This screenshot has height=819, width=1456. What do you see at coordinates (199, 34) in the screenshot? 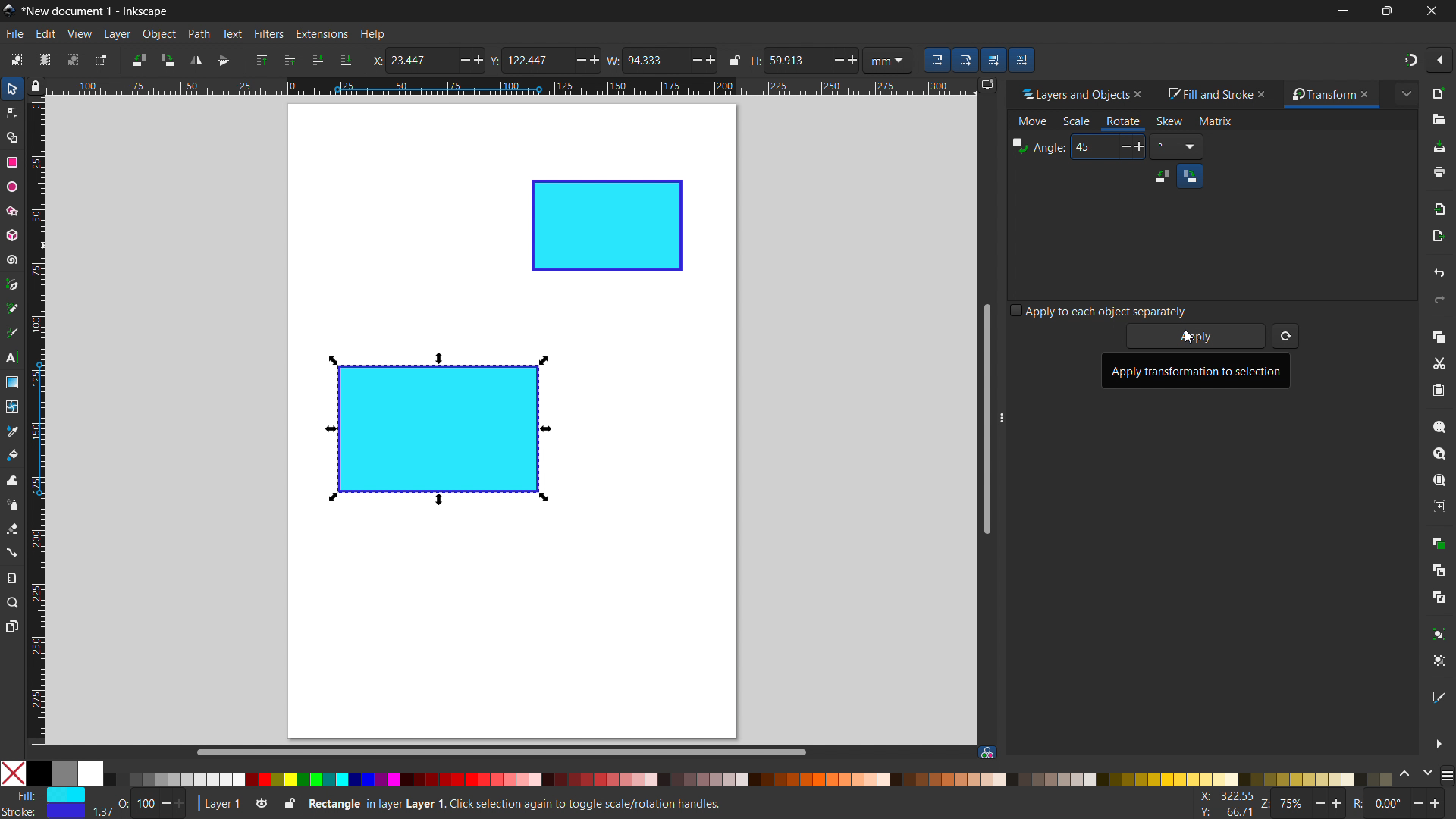
I see `path` at bounding box center [199, 34].